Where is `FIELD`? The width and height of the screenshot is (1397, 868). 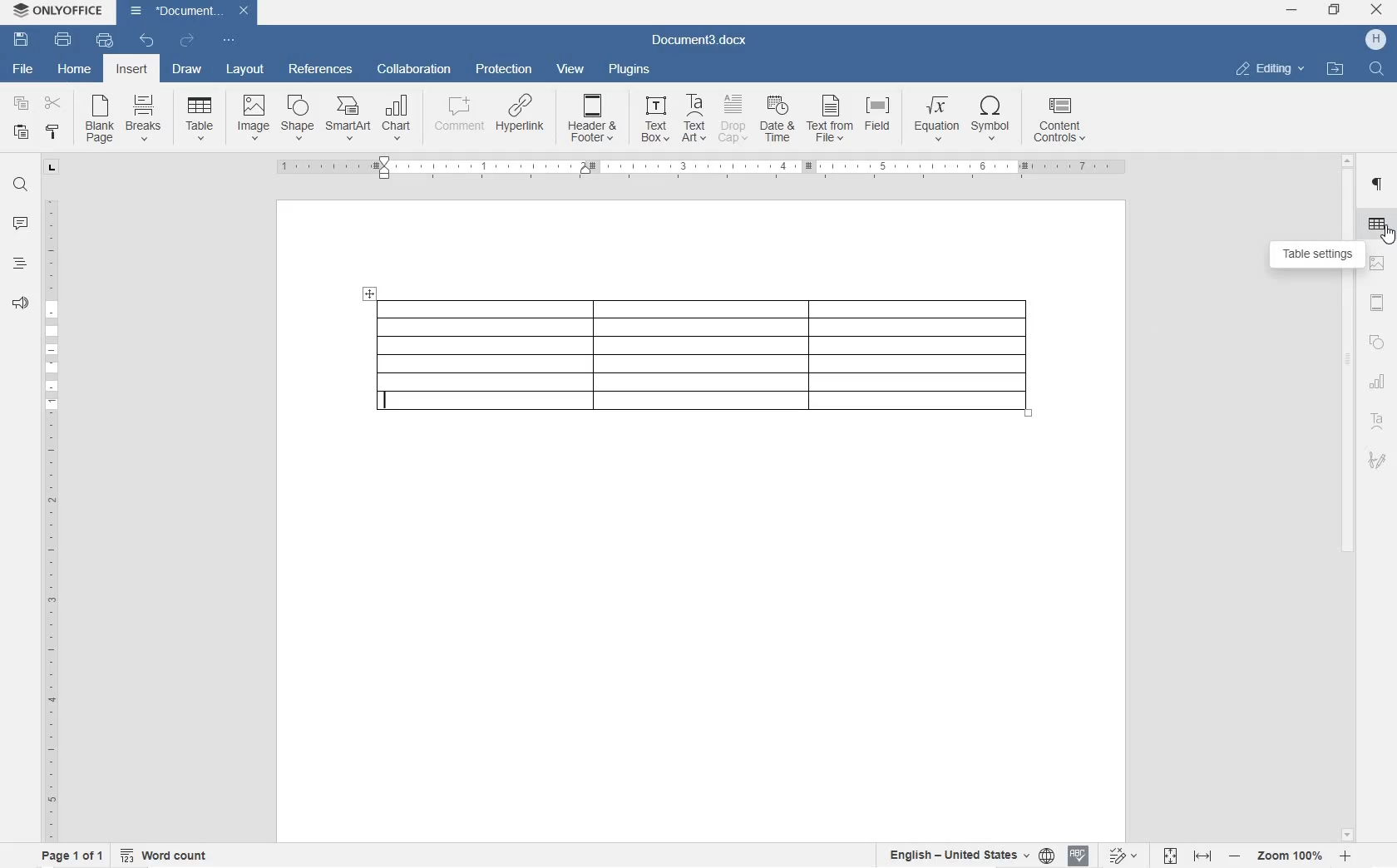 FIELD is located at coordinates (876, 116).